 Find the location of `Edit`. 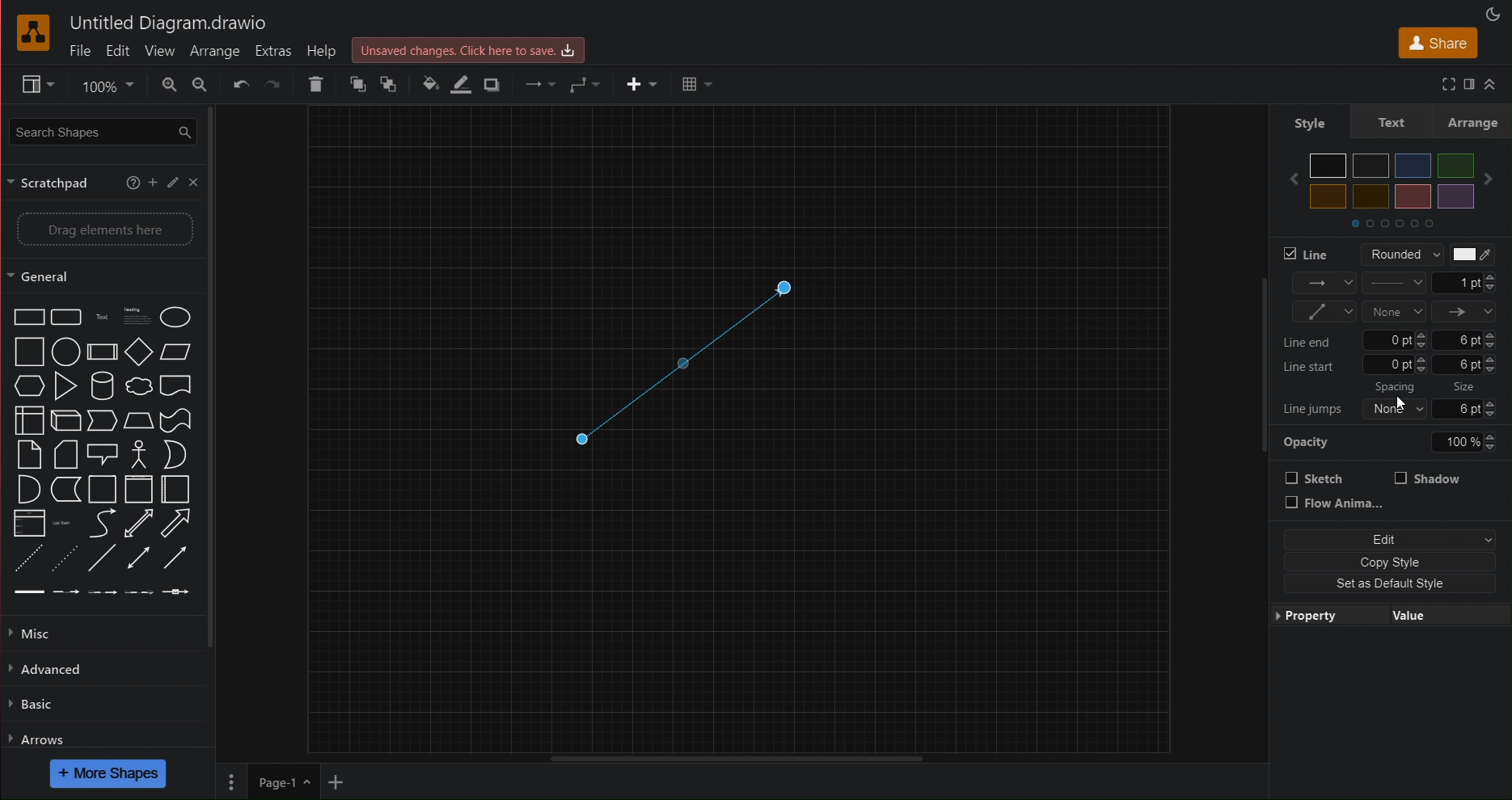

Edit is located at coordinates (171, 181).